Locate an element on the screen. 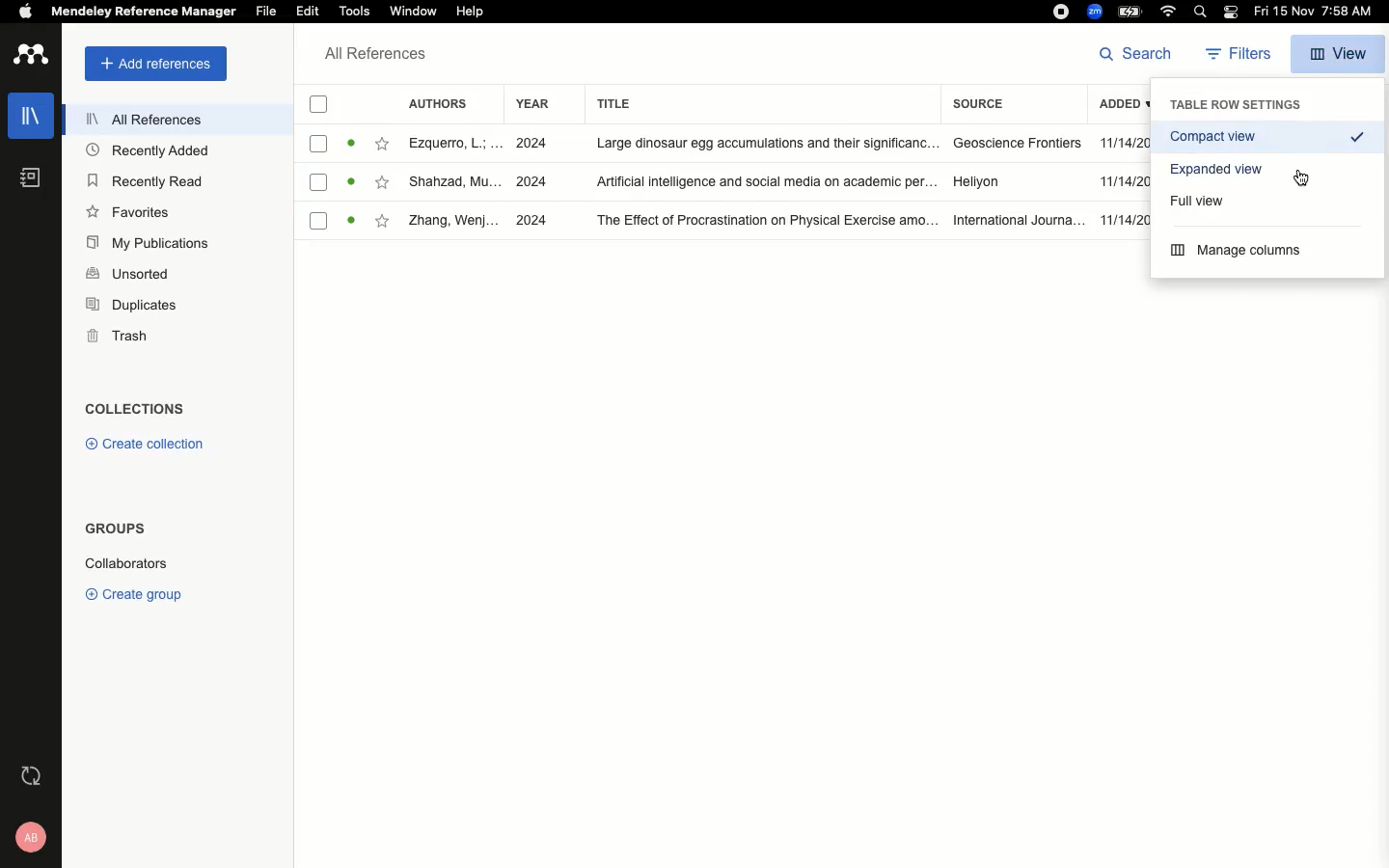  All references is located at coordinates (370, 55).